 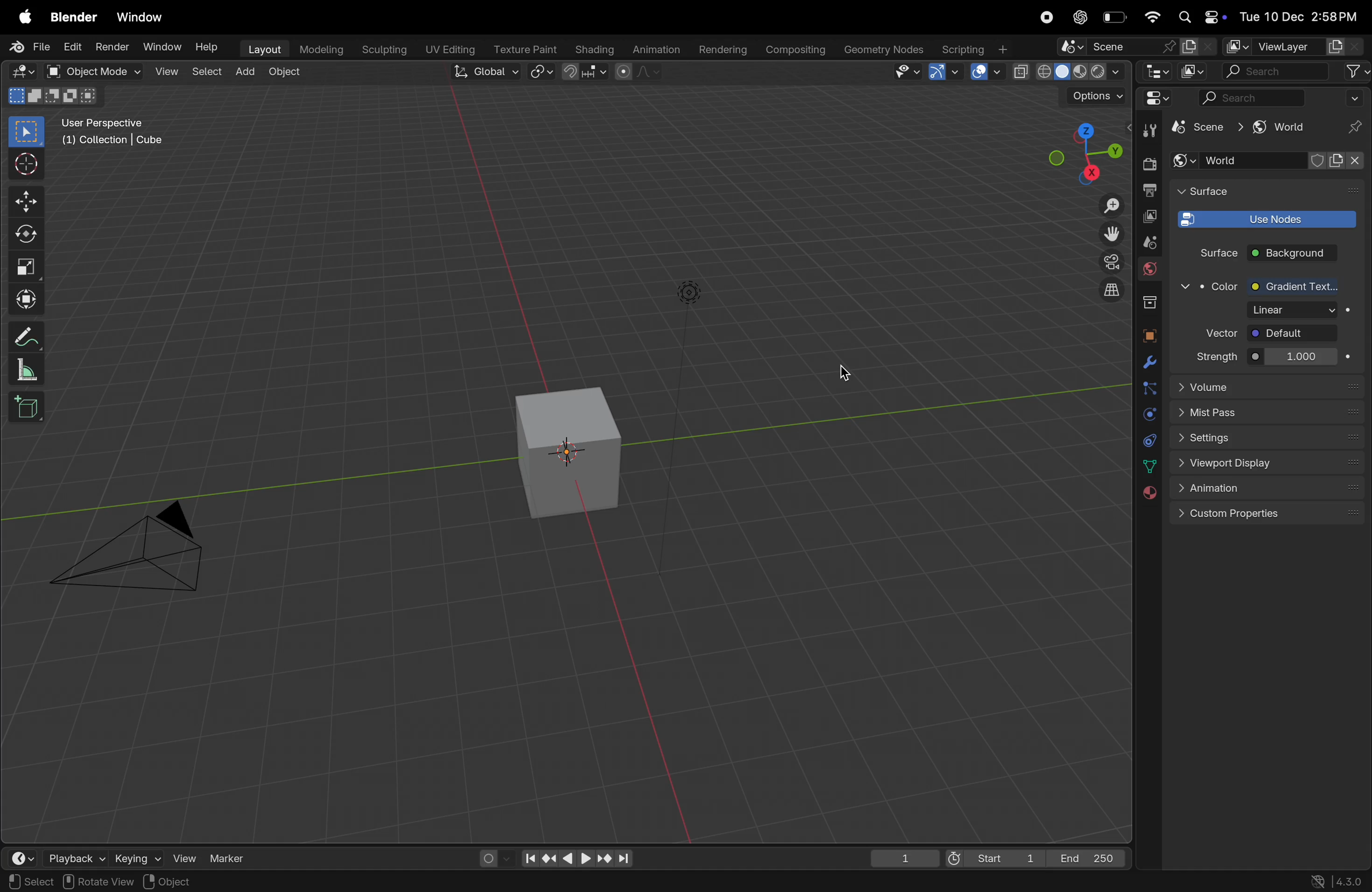 I want to click on annotate, so click(x=25, y=334).